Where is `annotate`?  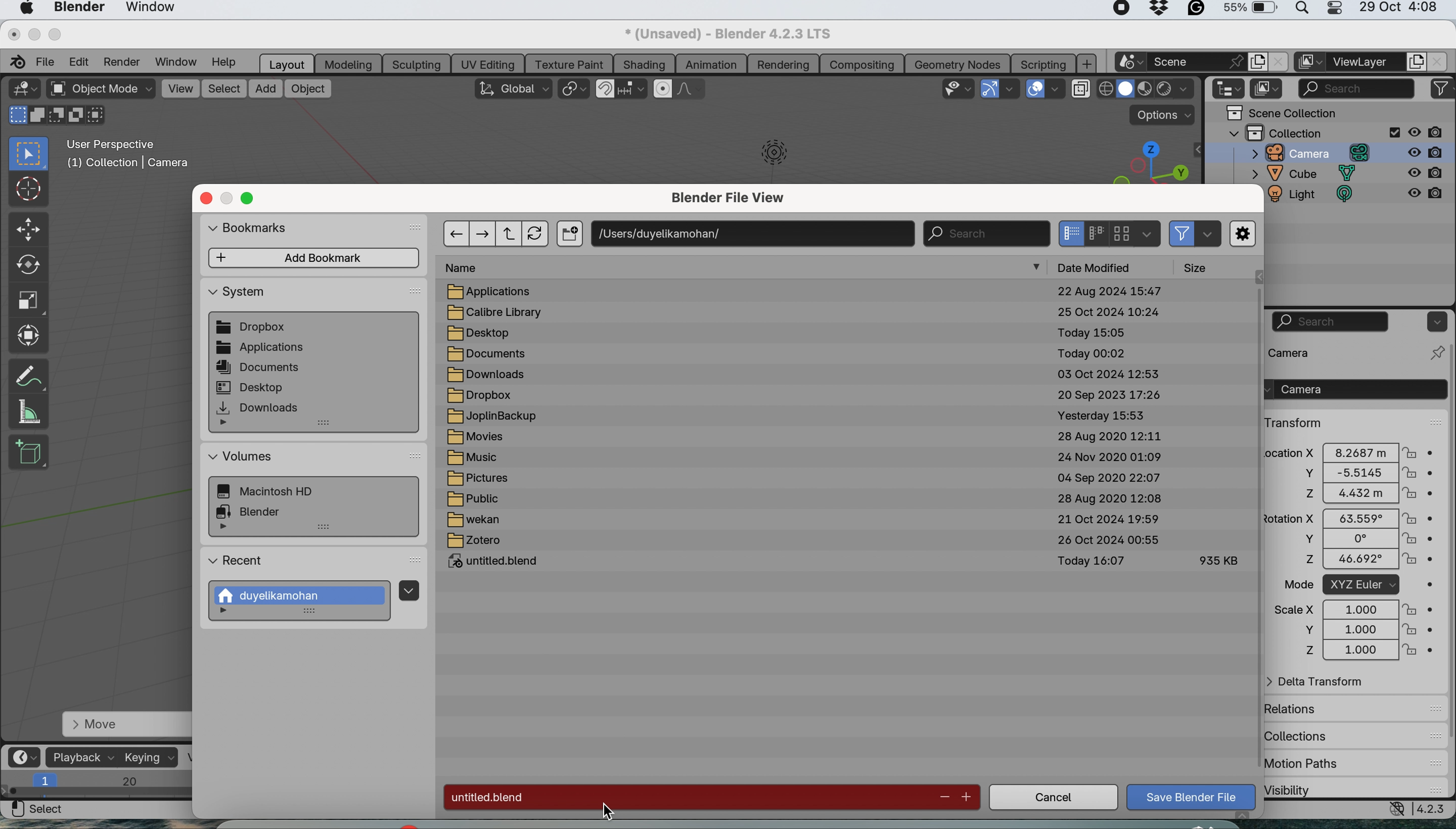 annotate is located at coordinates (26, 375).